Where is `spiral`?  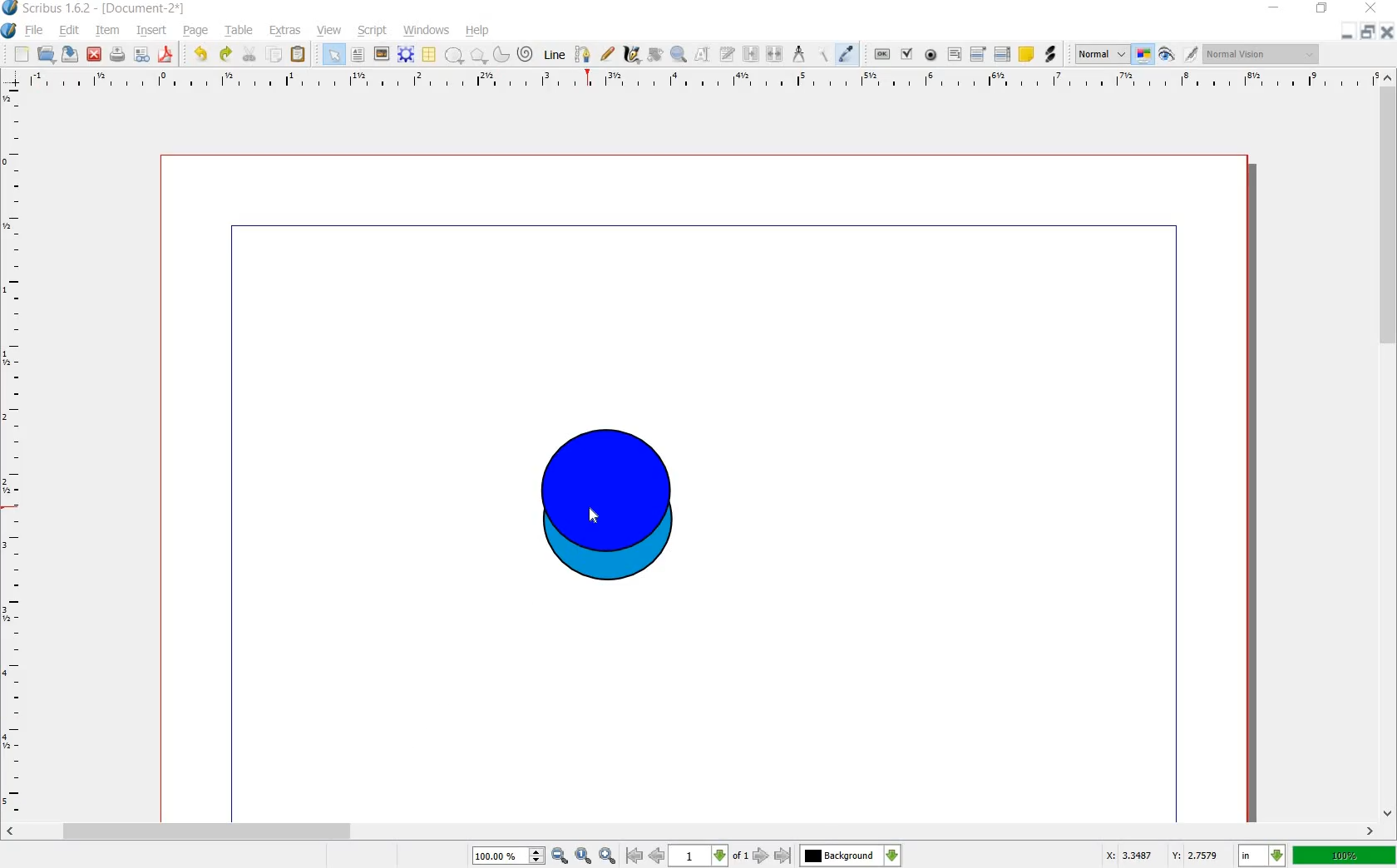 spiral is located at coordinates (525, 55).